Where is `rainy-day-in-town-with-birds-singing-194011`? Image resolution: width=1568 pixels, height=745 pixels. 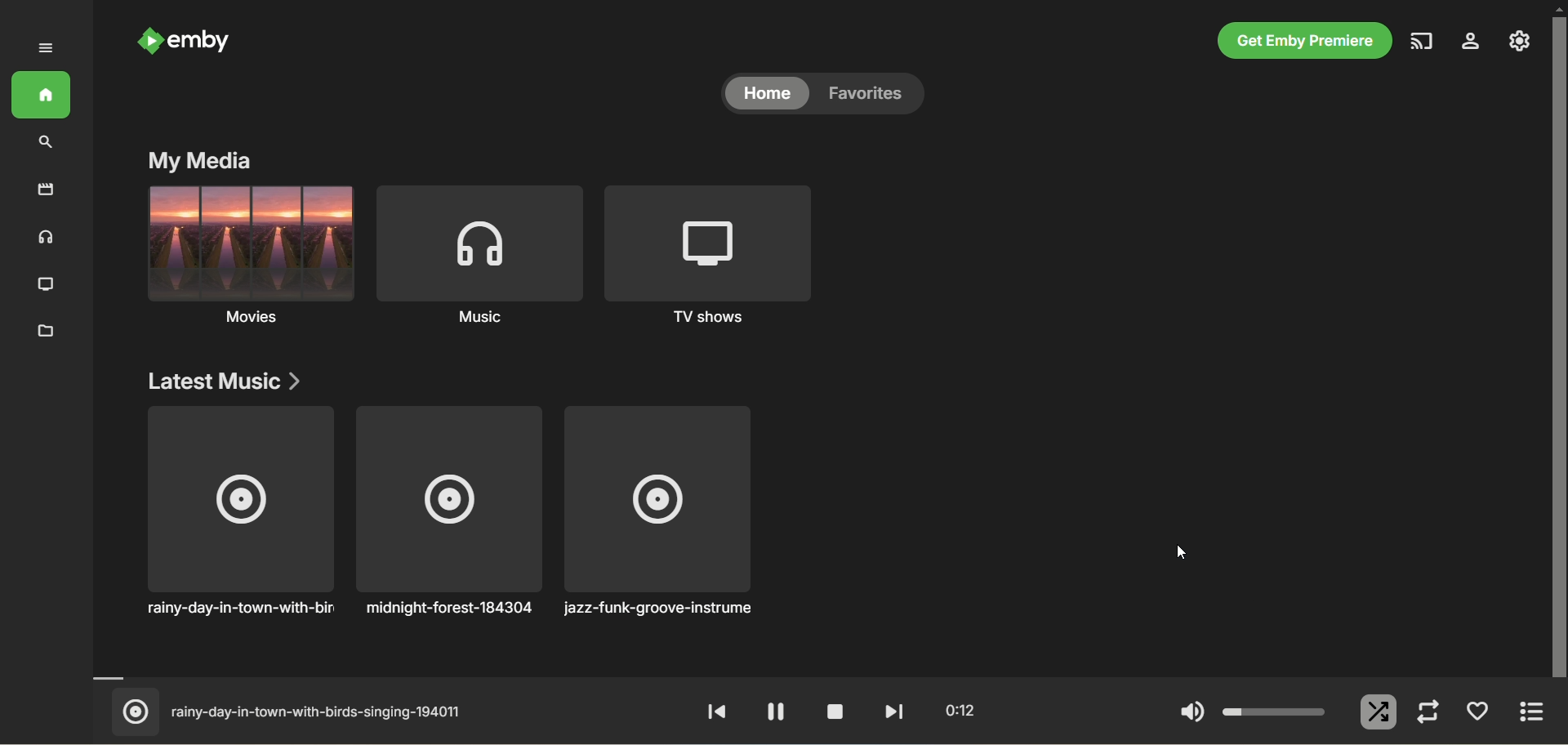 rainy-day-in-town-with-birds-singing-194011 is located at coordinates (296, 712).